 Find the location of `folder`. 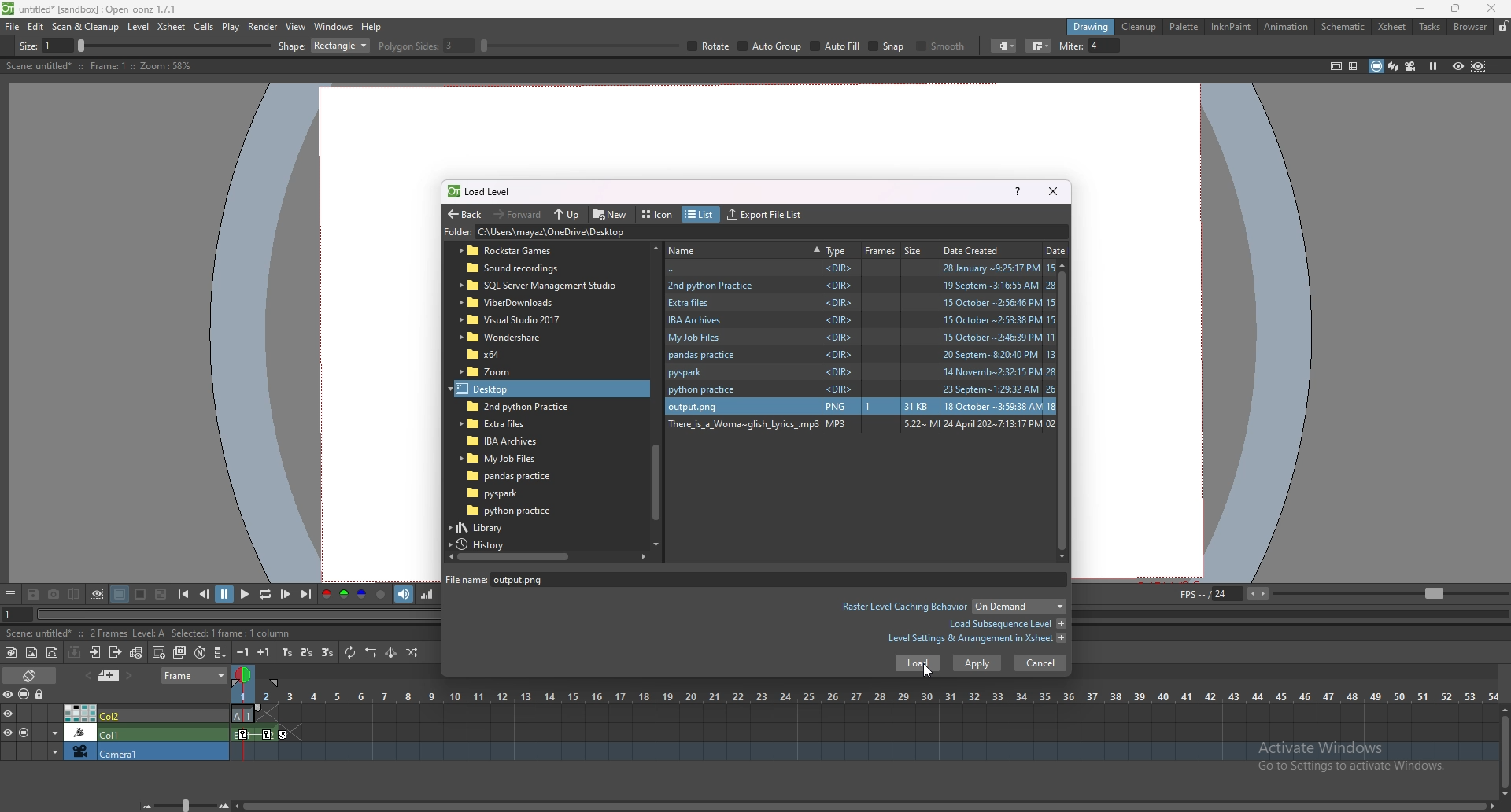

folder is located at coordinates (501, 389).